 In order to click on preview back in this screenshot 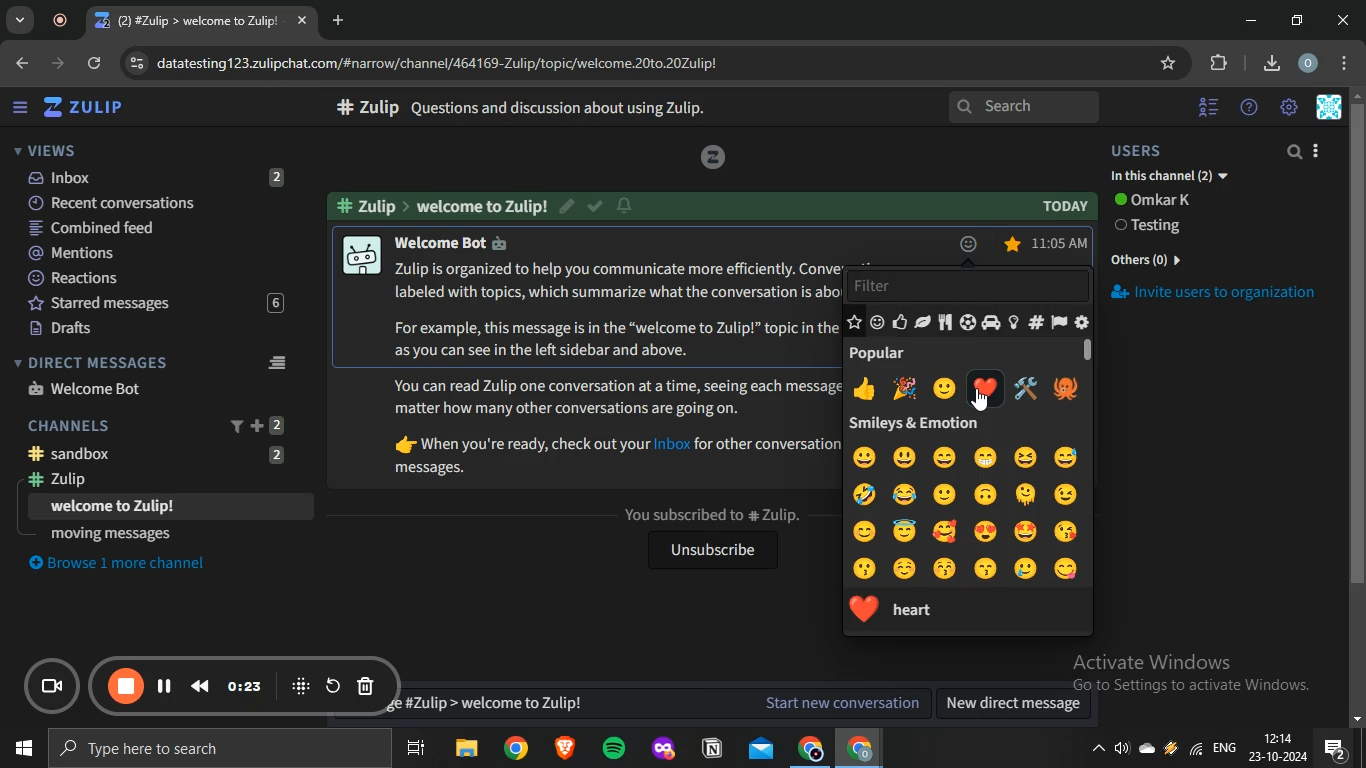, I will do `click(200, 685)`.